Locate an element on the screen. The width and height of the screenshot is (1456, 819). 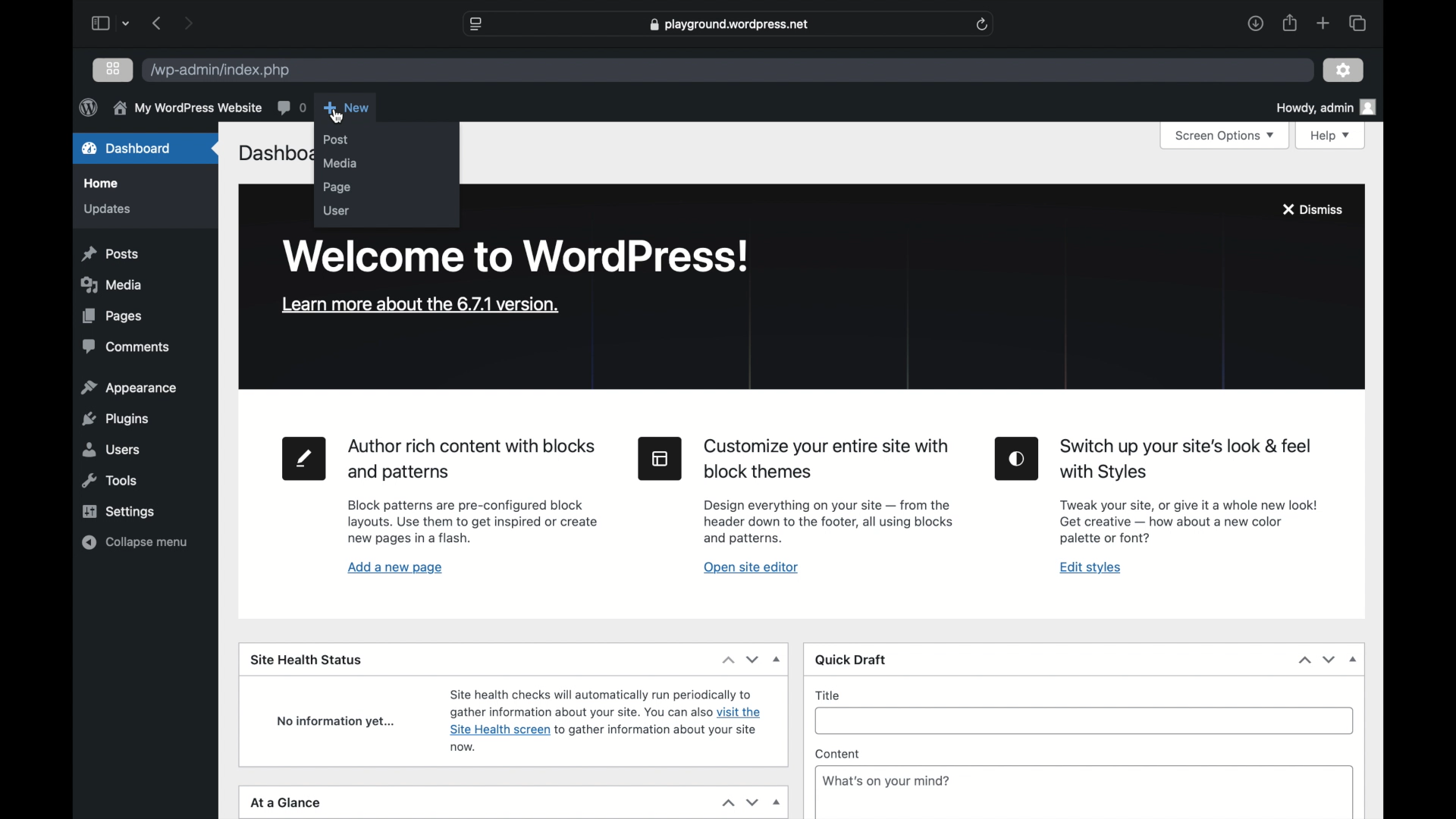
settings is located at coordinates (1344, 71).